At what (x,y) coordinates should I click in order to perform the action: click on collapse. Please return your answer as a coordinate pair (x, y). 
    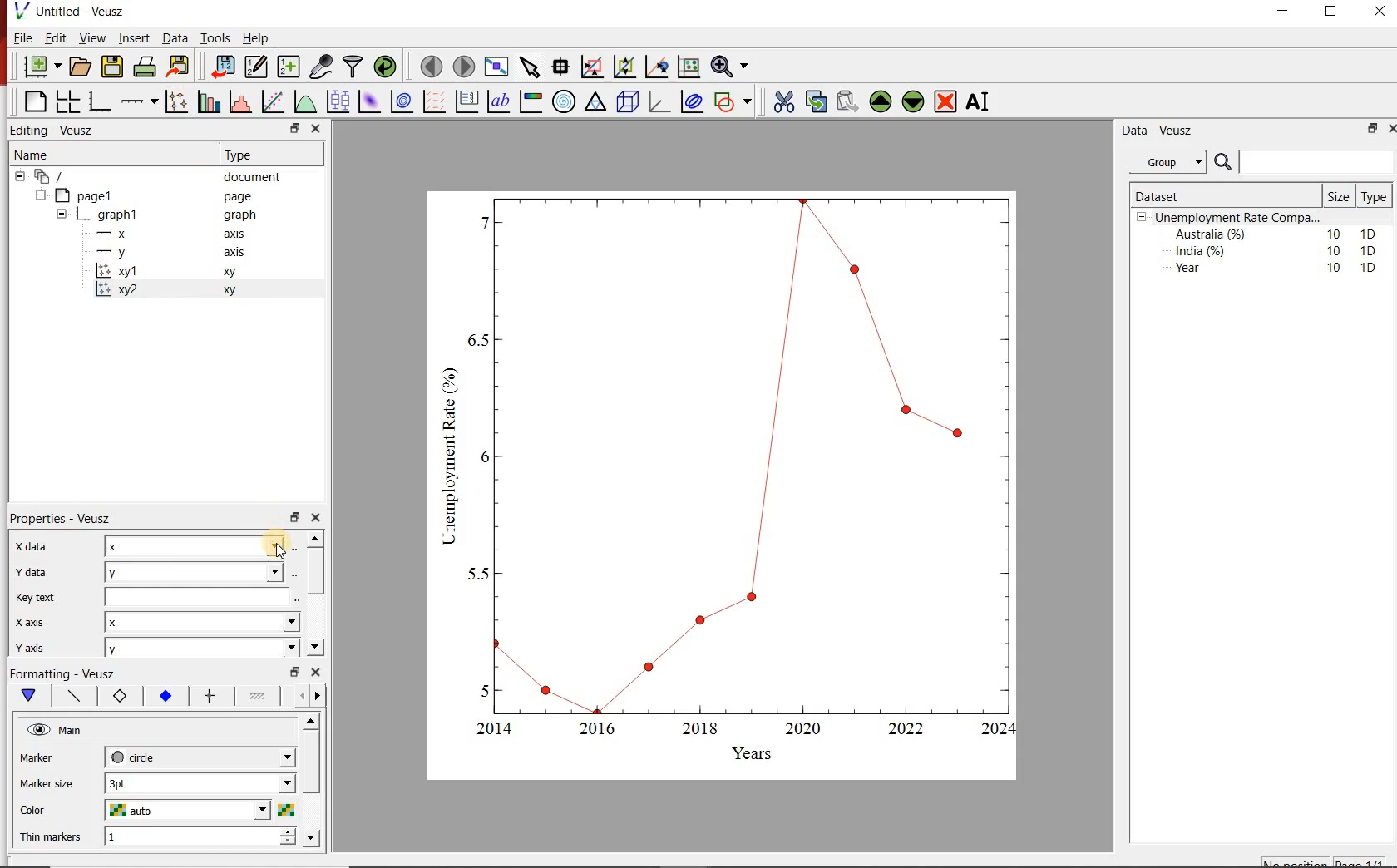
    Looking at the image, I should click on (40, 195).